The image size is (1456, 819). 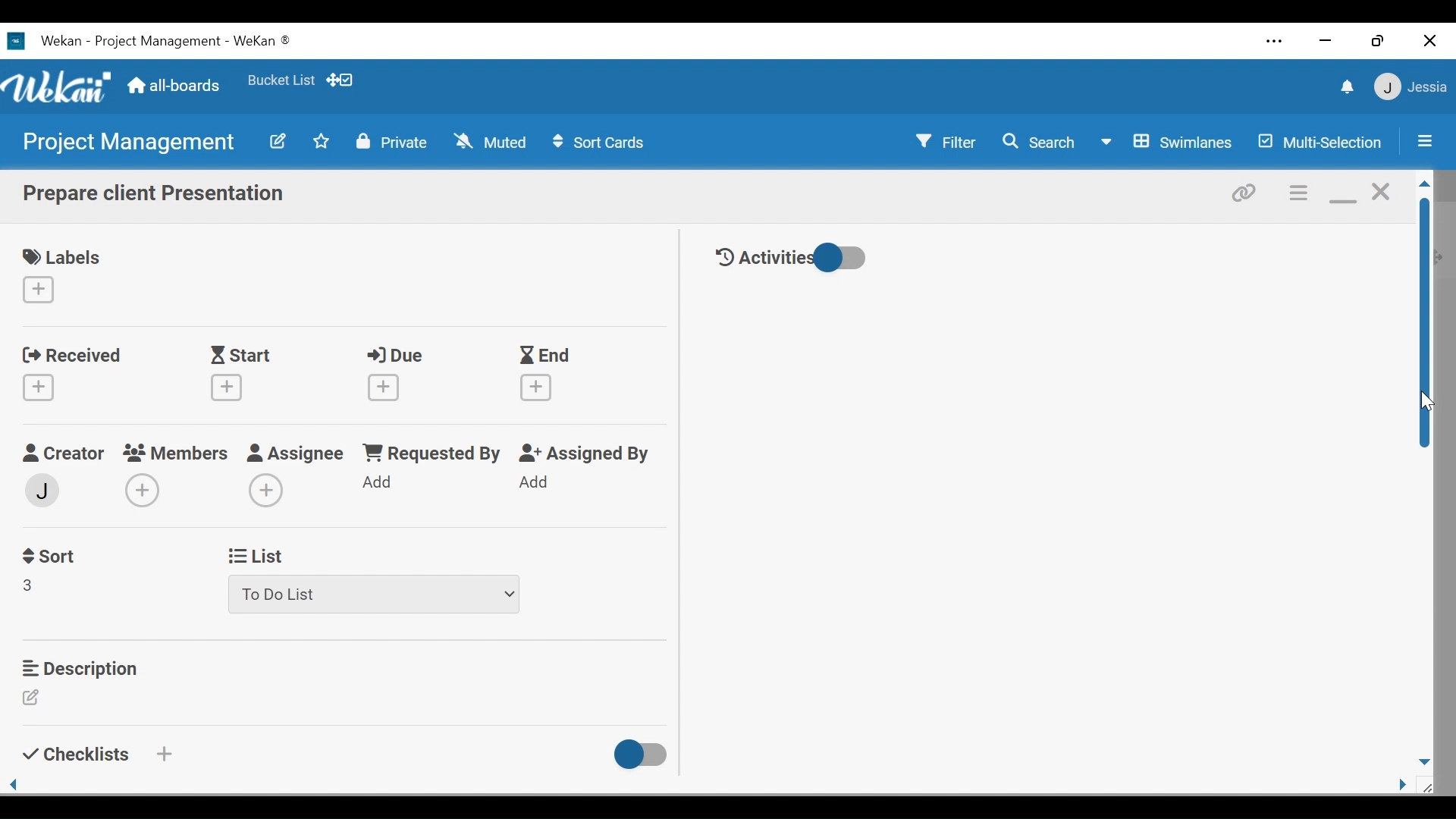 What do you see at coordinates (1326, 40) in the screenshot?
I see `minimize` at bounding box center [1326, 40].